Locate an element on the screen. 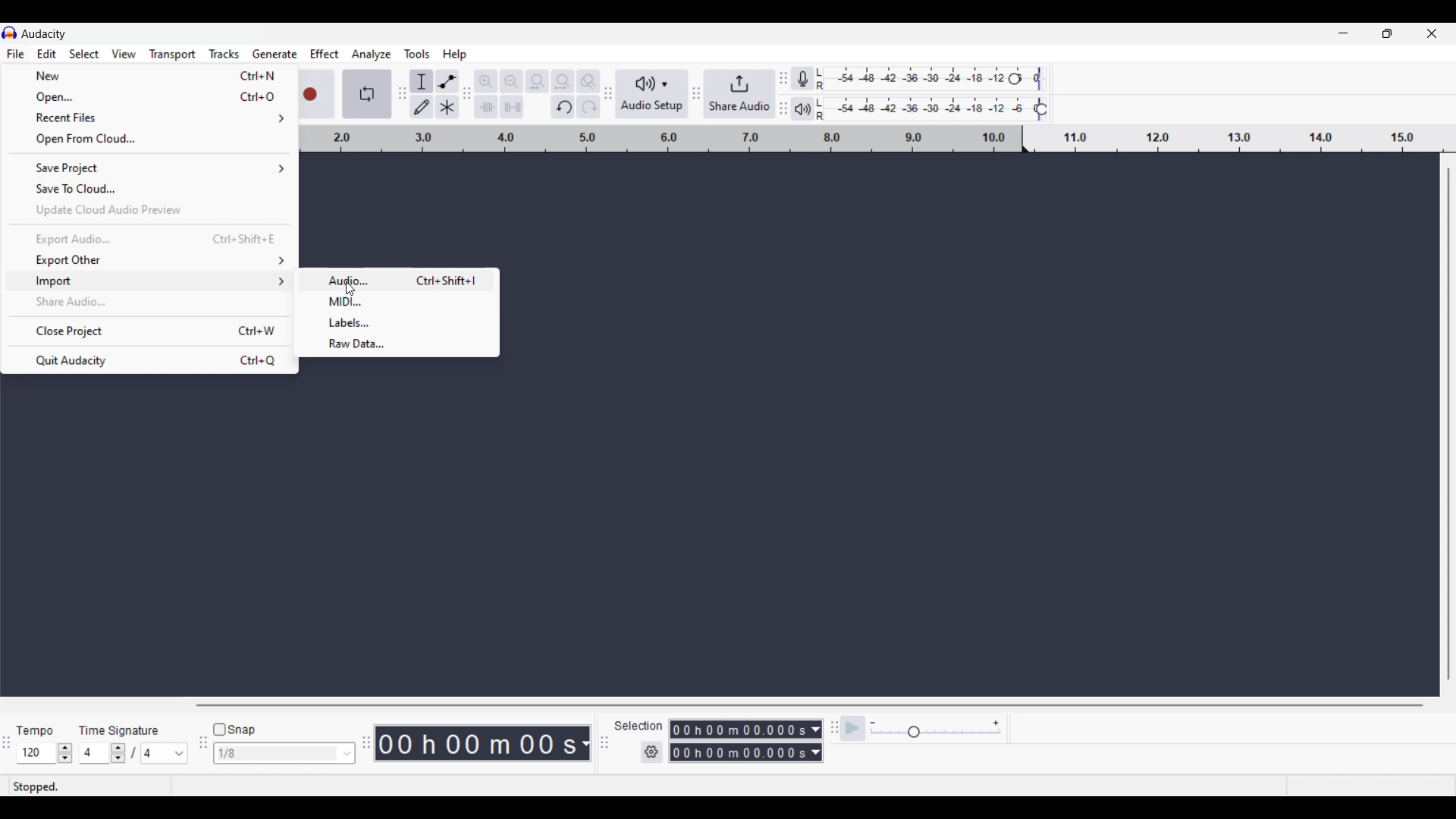  Trim audio outside selection is located at coordinates (488, 107).